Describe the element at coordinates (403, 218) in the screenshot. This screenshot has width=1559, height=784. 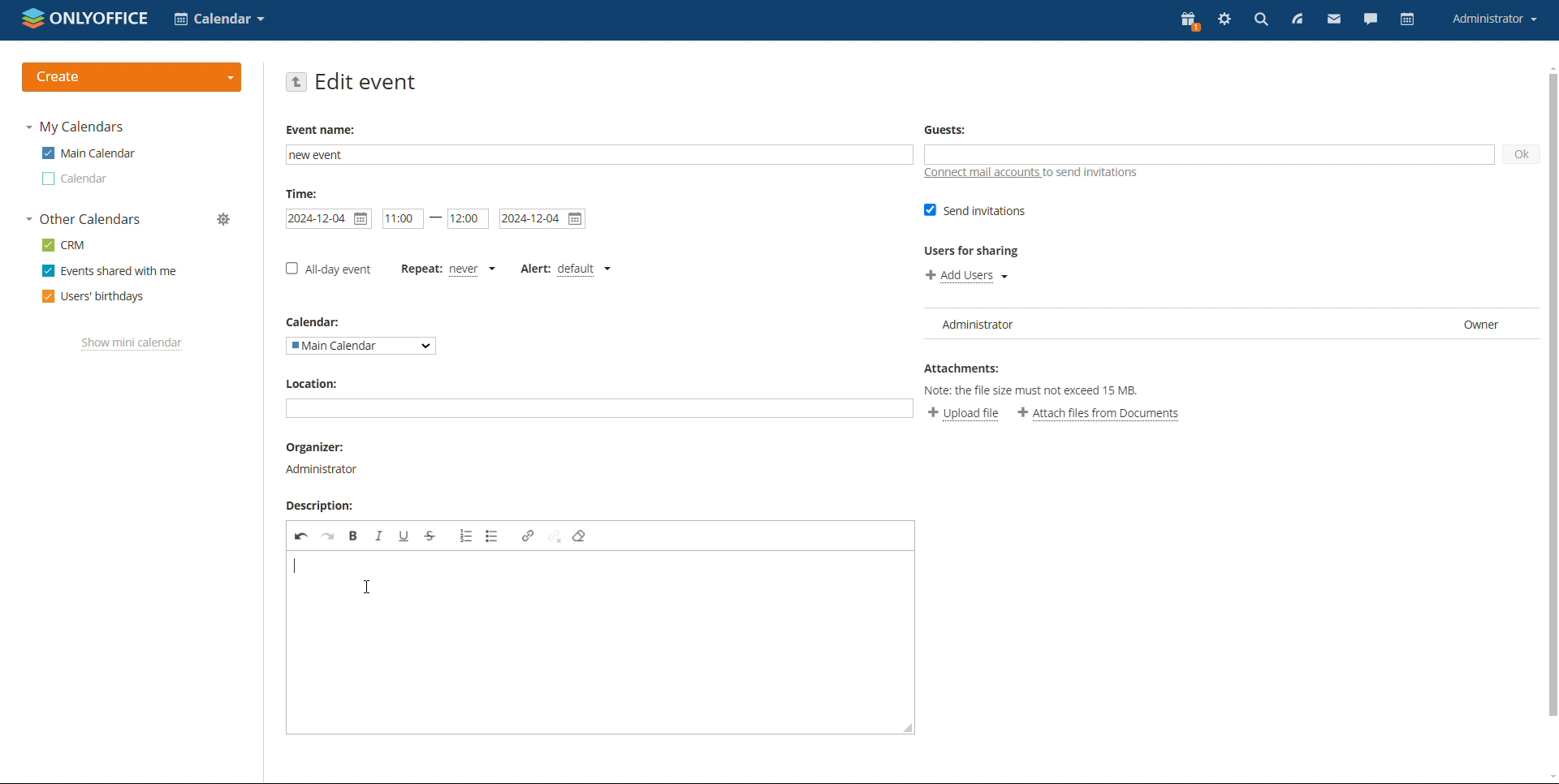
I see `start date` at that location.